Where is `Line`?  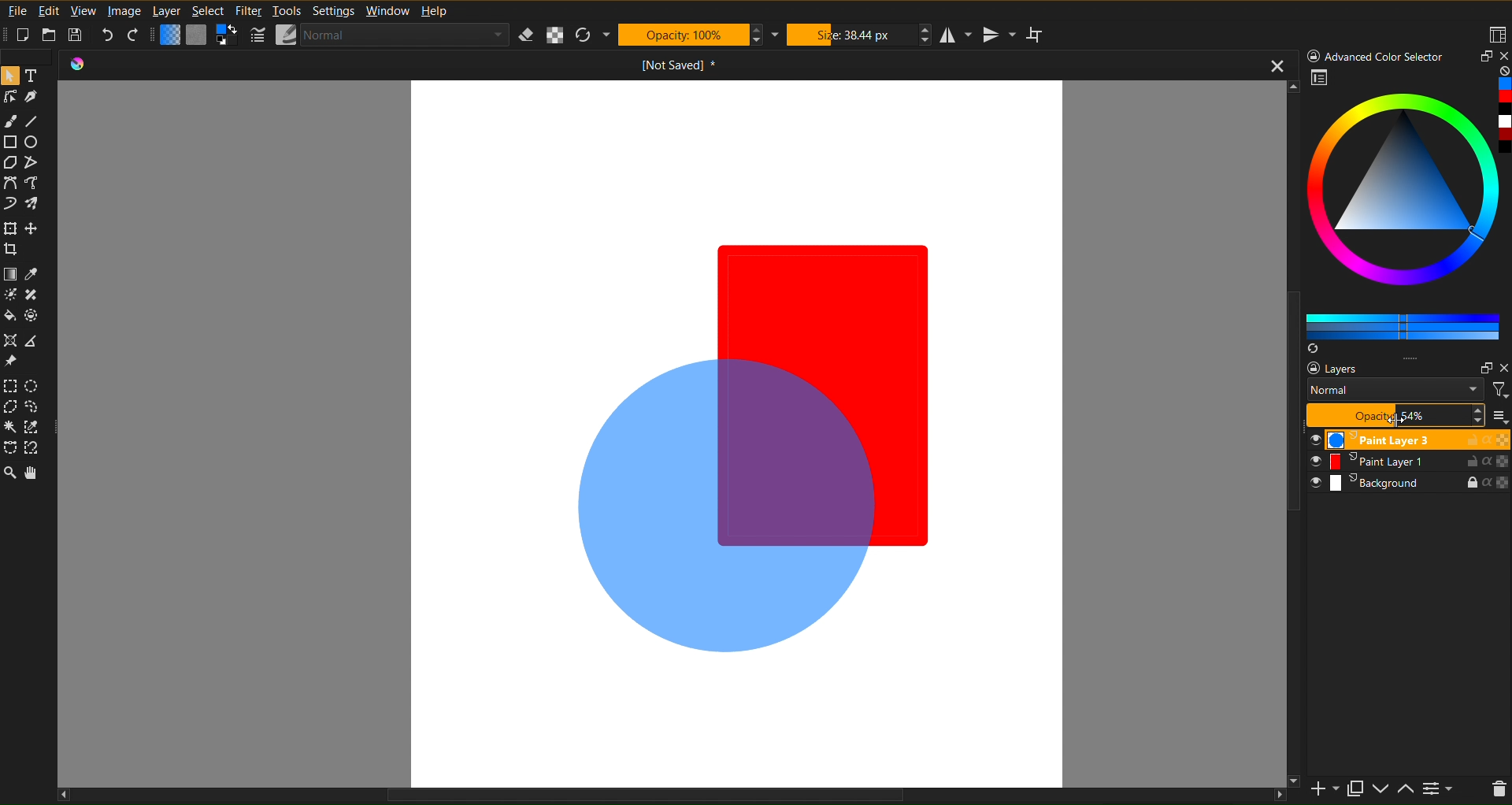
Line is located at coordinates (36, 121).